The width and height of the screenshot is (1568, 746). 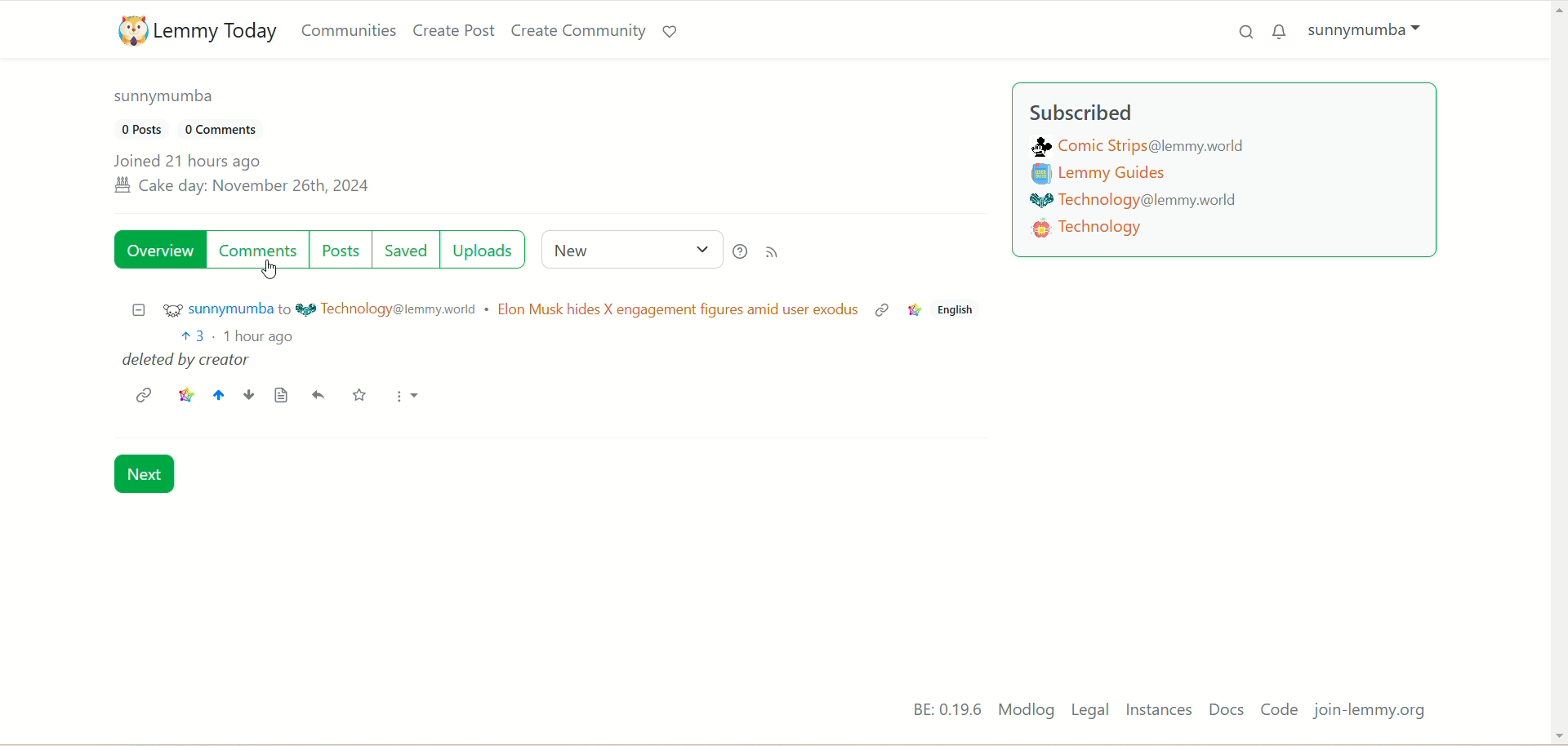 I want to click on date and time of joining, so click(x=242, y=175).